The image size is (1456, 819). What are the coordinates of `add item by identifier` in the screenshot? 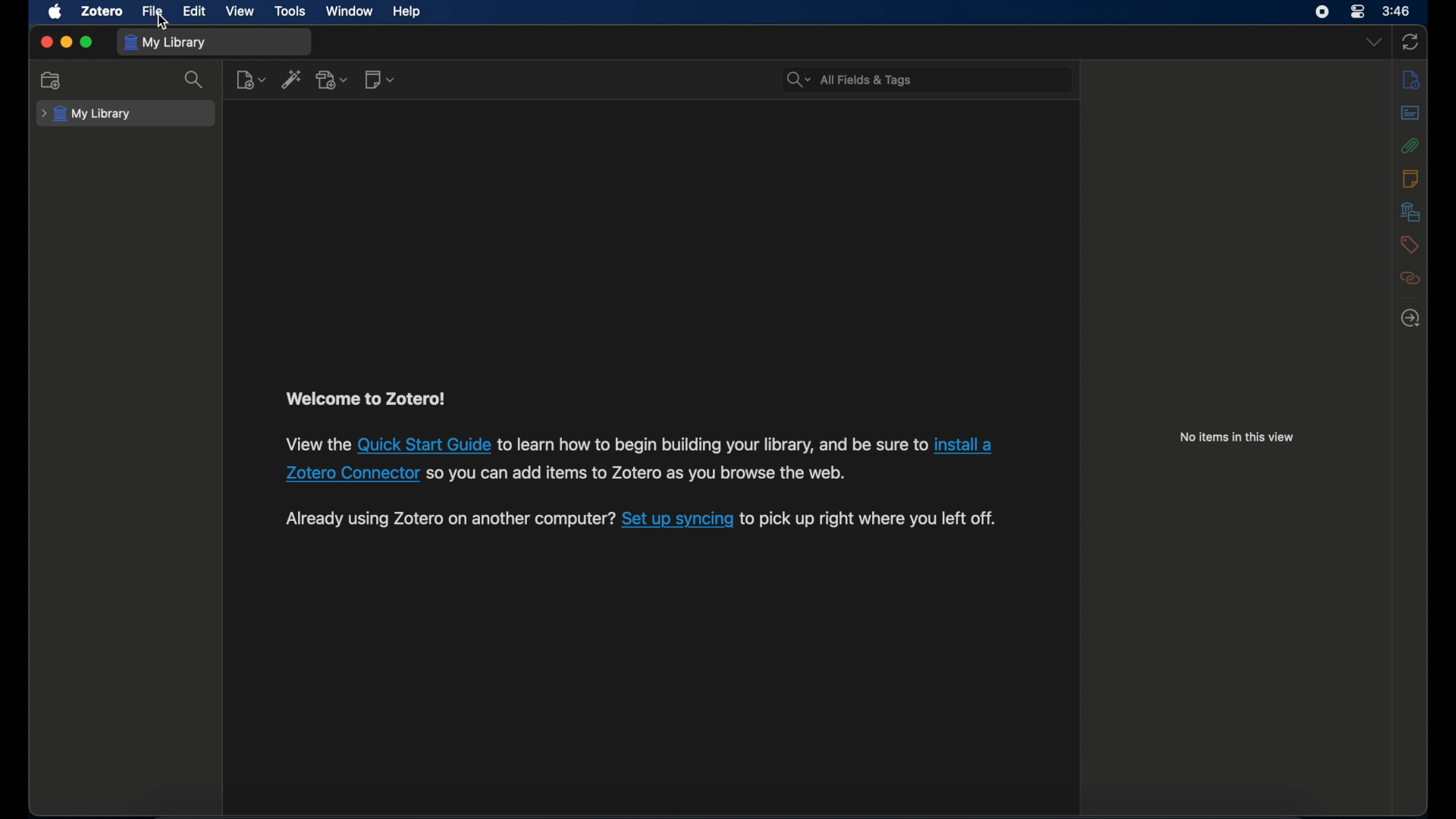 It's located at (293, 79).